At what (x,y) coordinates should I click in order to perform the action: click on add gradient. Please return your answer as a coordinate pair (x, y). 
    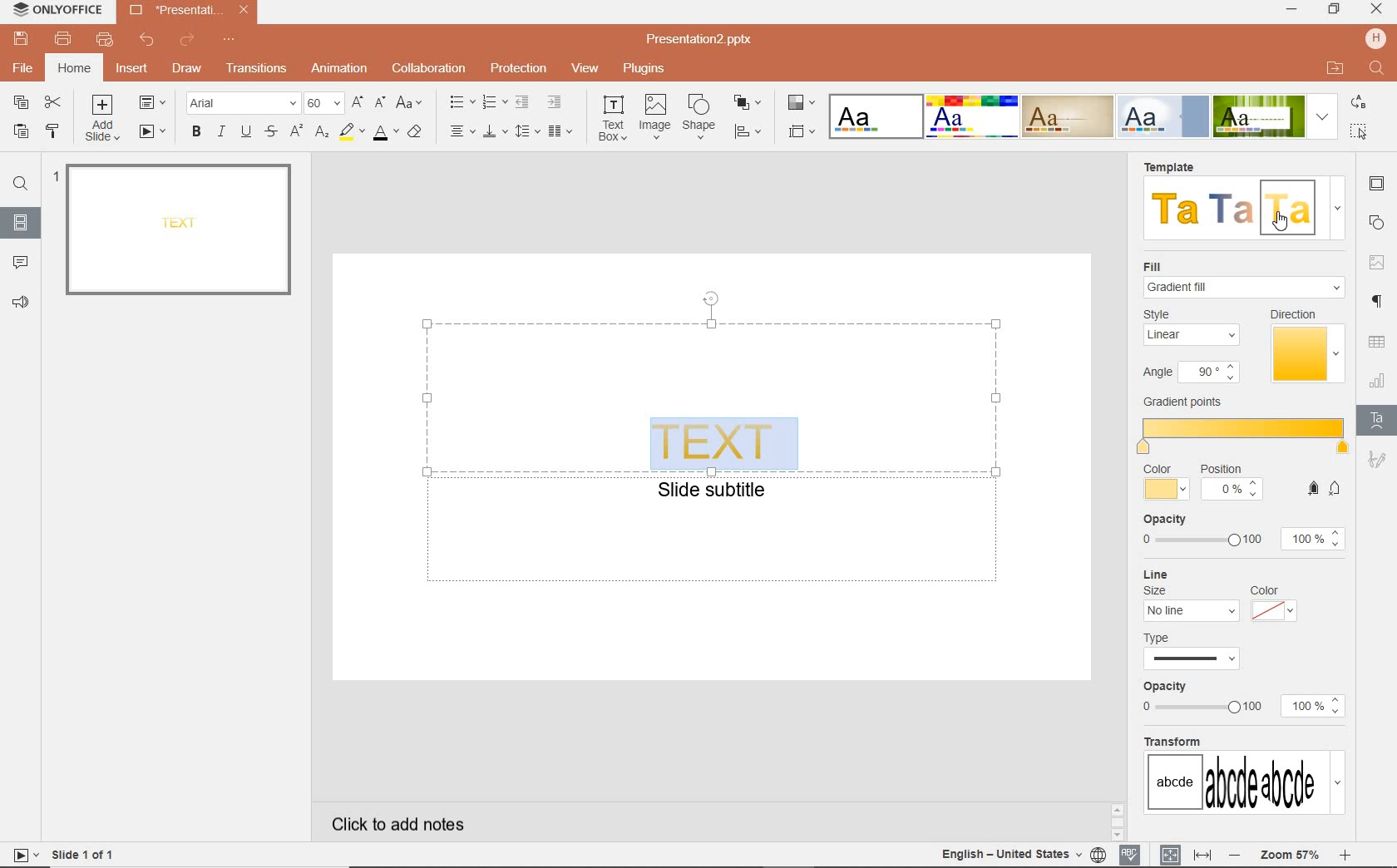
    Looking at the image, I should click on (1311, 486).